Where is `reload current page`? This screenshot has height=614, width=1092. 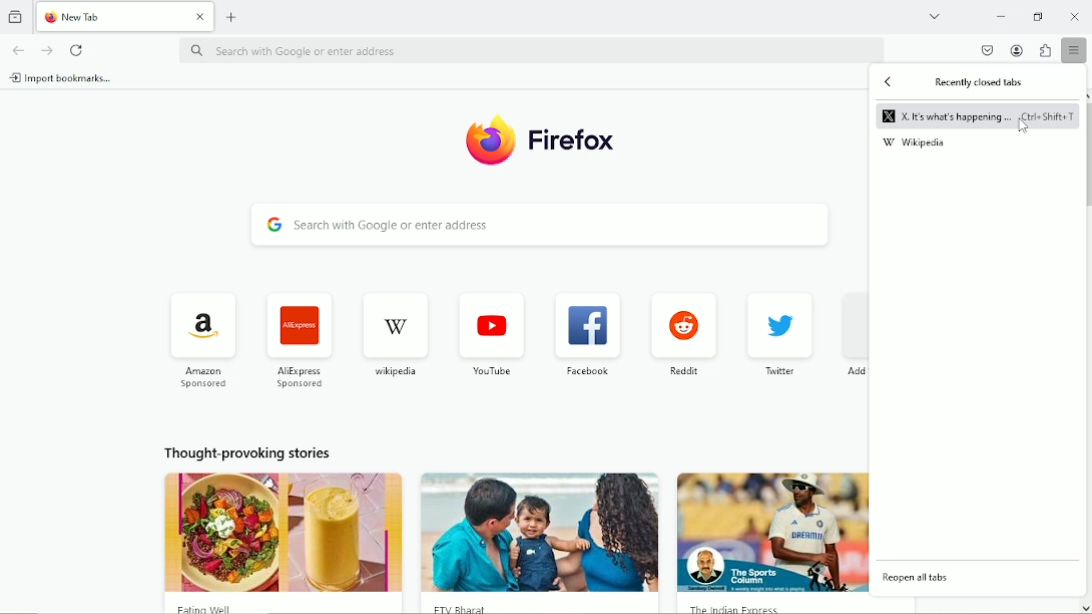
reload current page is located at coordinates (76, 50).